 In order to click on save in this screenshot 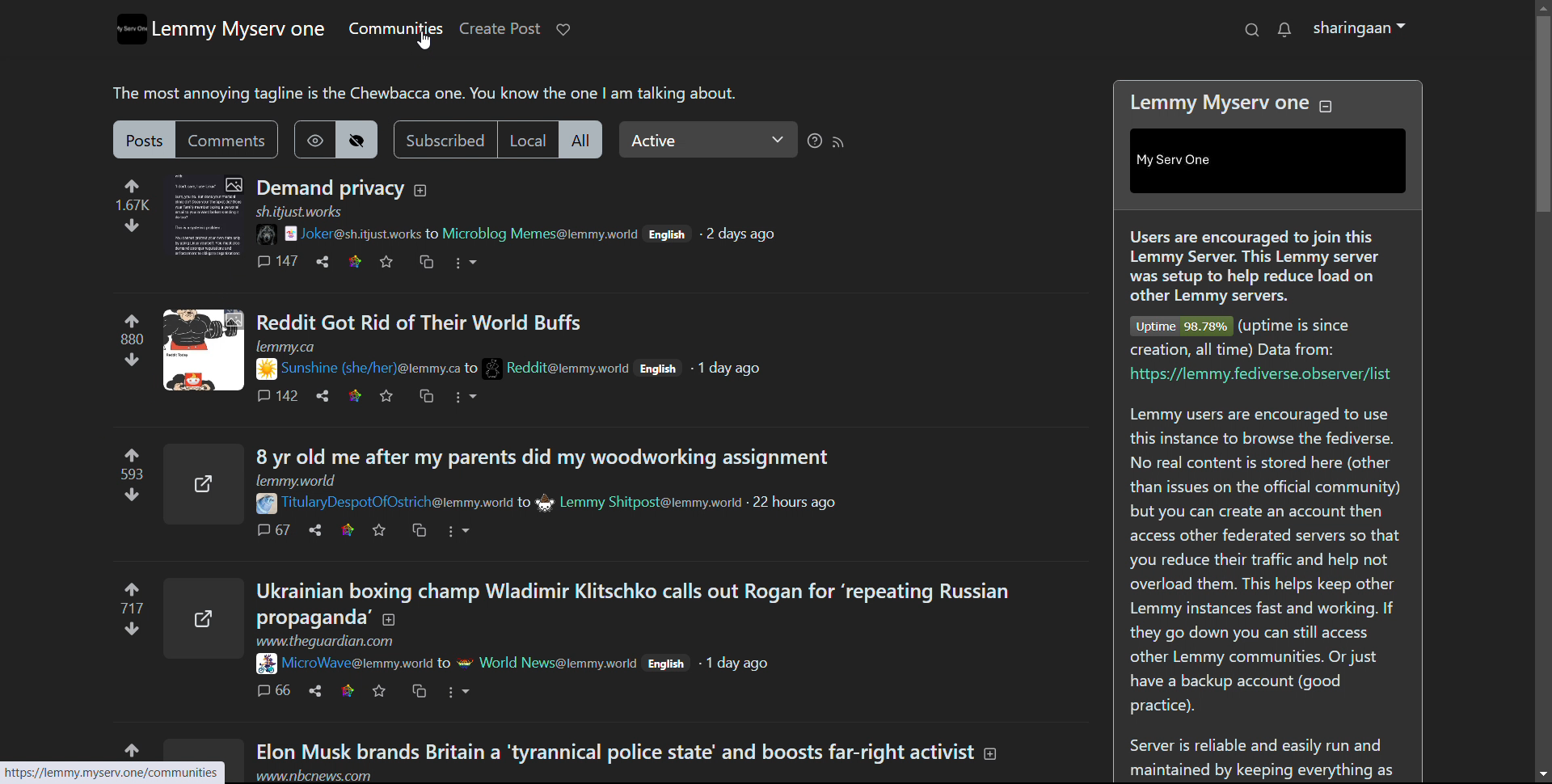, I will do `click(380, 529)`.